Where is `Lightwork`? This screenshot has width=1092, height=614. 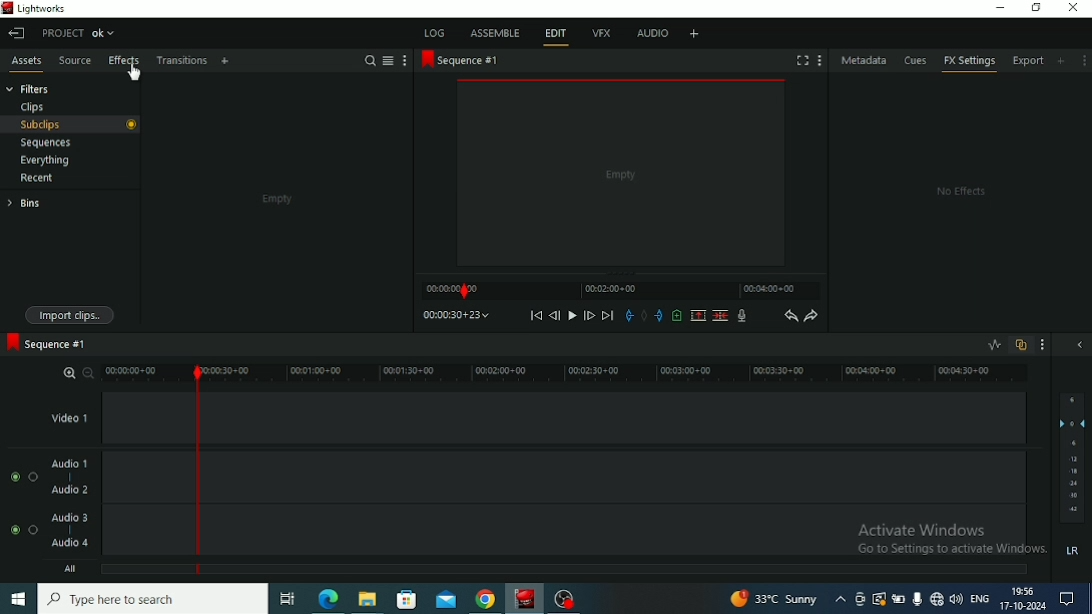 Lightwork is located at coordinates (526, 598).